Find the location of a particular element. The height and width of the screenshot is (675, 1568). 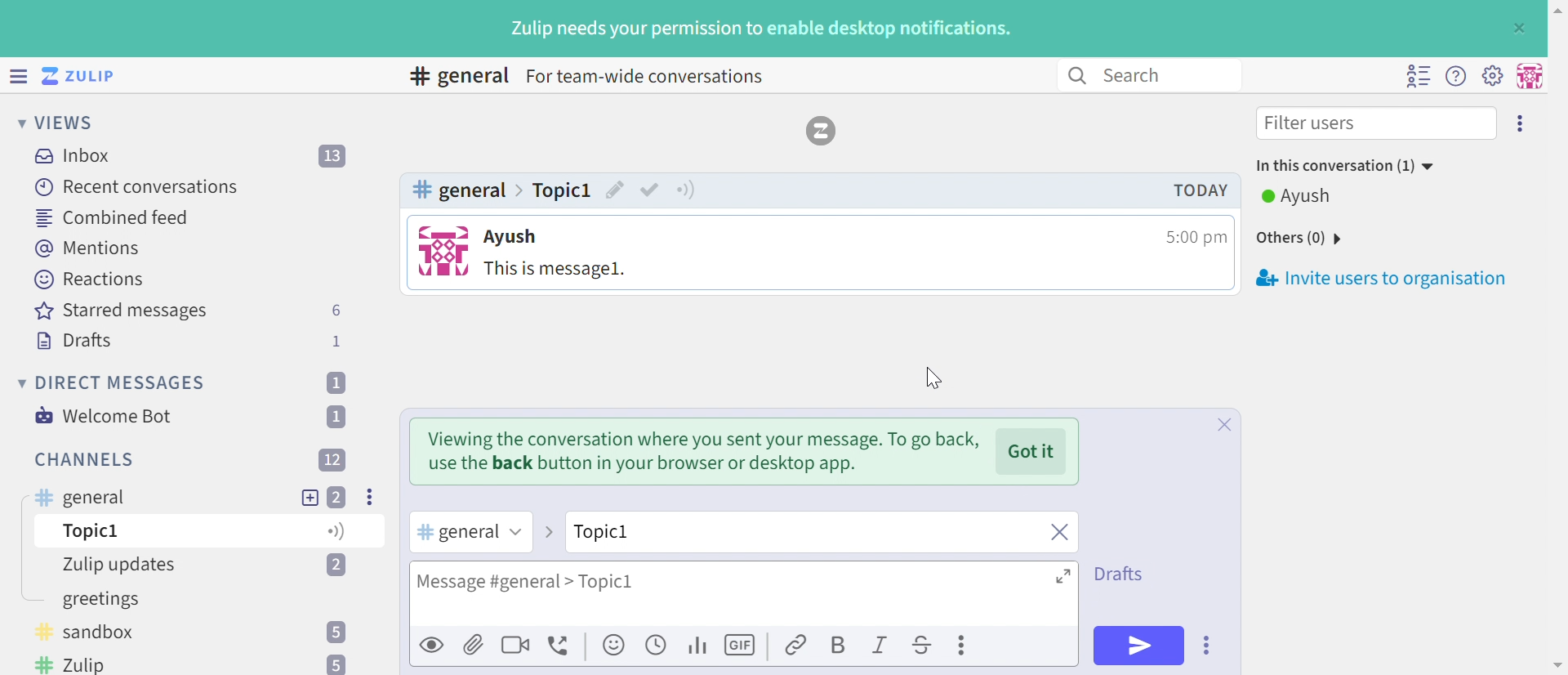

Search is located at coordinates (1140, 74).